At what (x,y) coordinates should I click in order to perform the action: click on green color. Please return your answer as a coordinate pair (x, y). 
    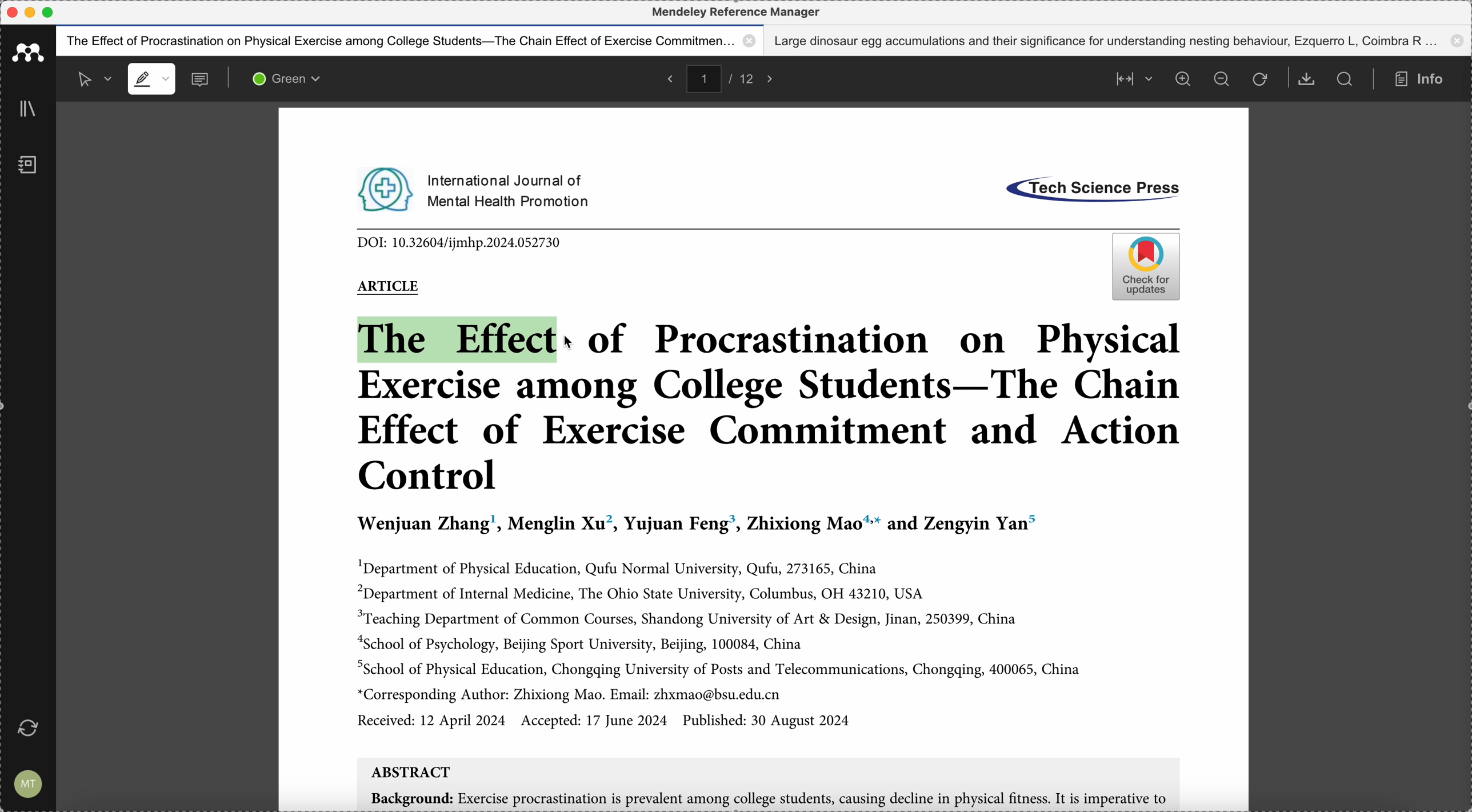
    Looking at the image, I should click on (289, 81).